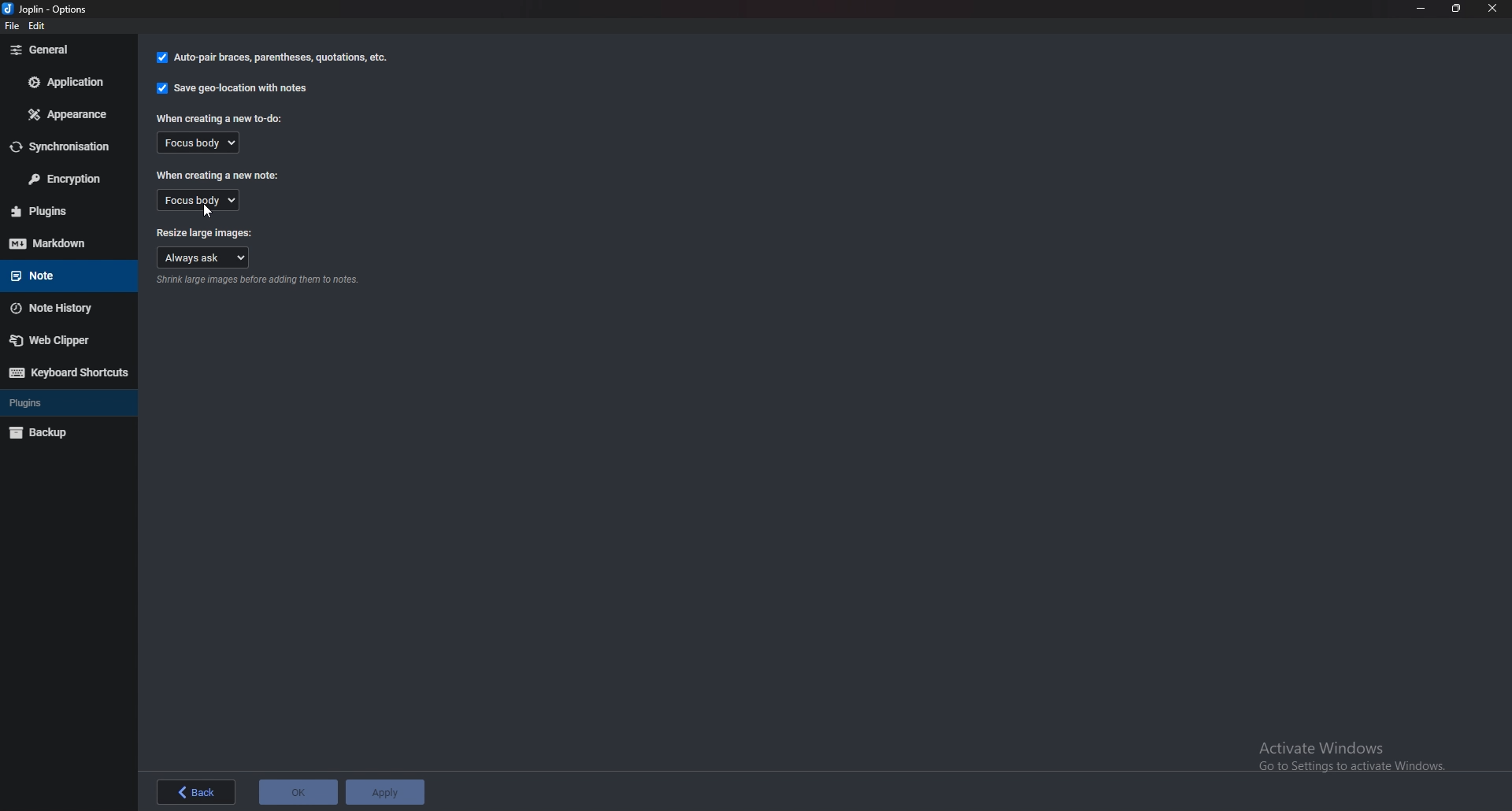  I want to click on General, so click(63, 50).